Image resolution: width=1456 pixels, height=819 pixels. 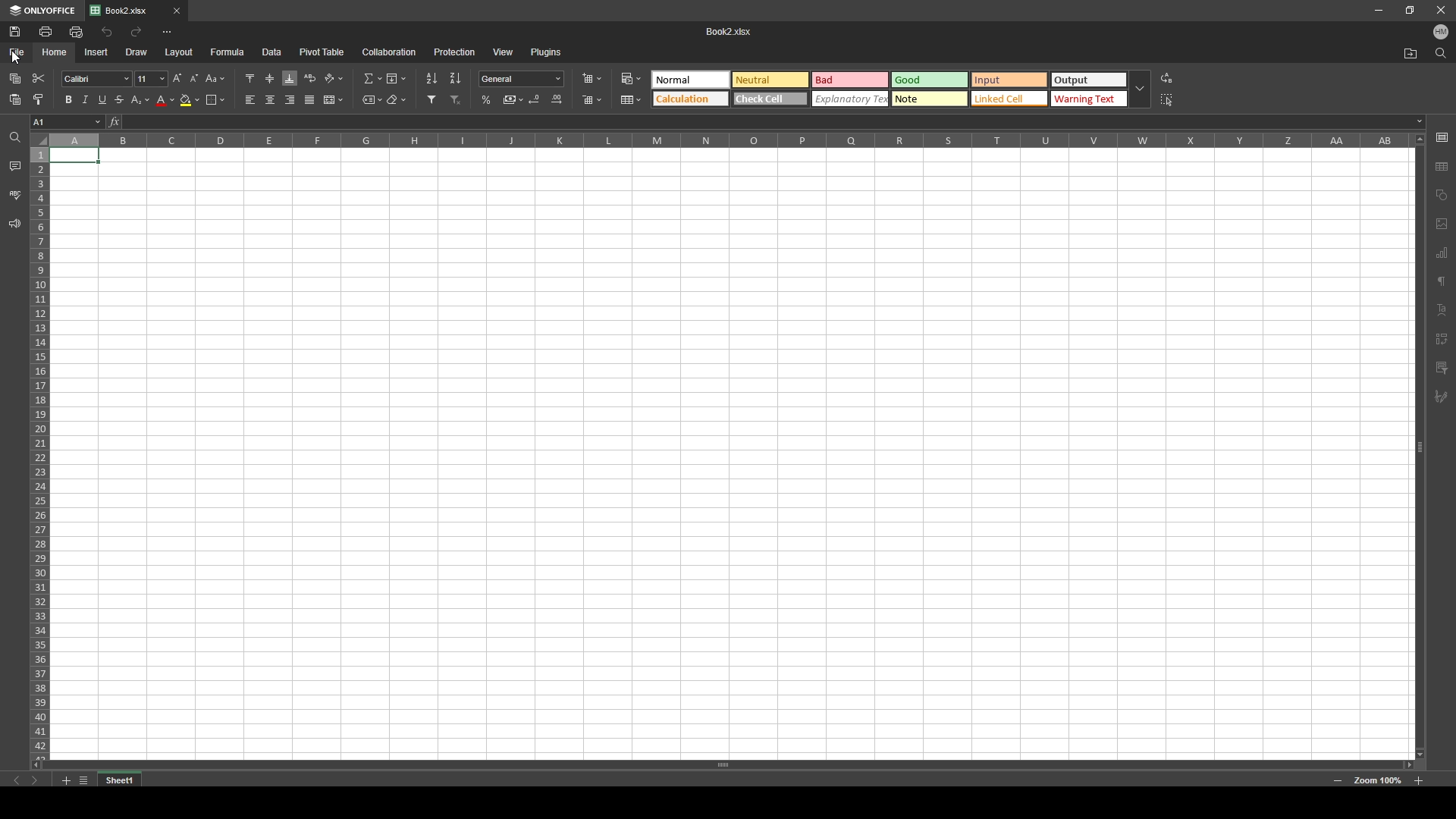 What do you see at coordinates (1009, 98) in the screenshot?
I see `Linked Cell` at bounding box center [1009, 98].